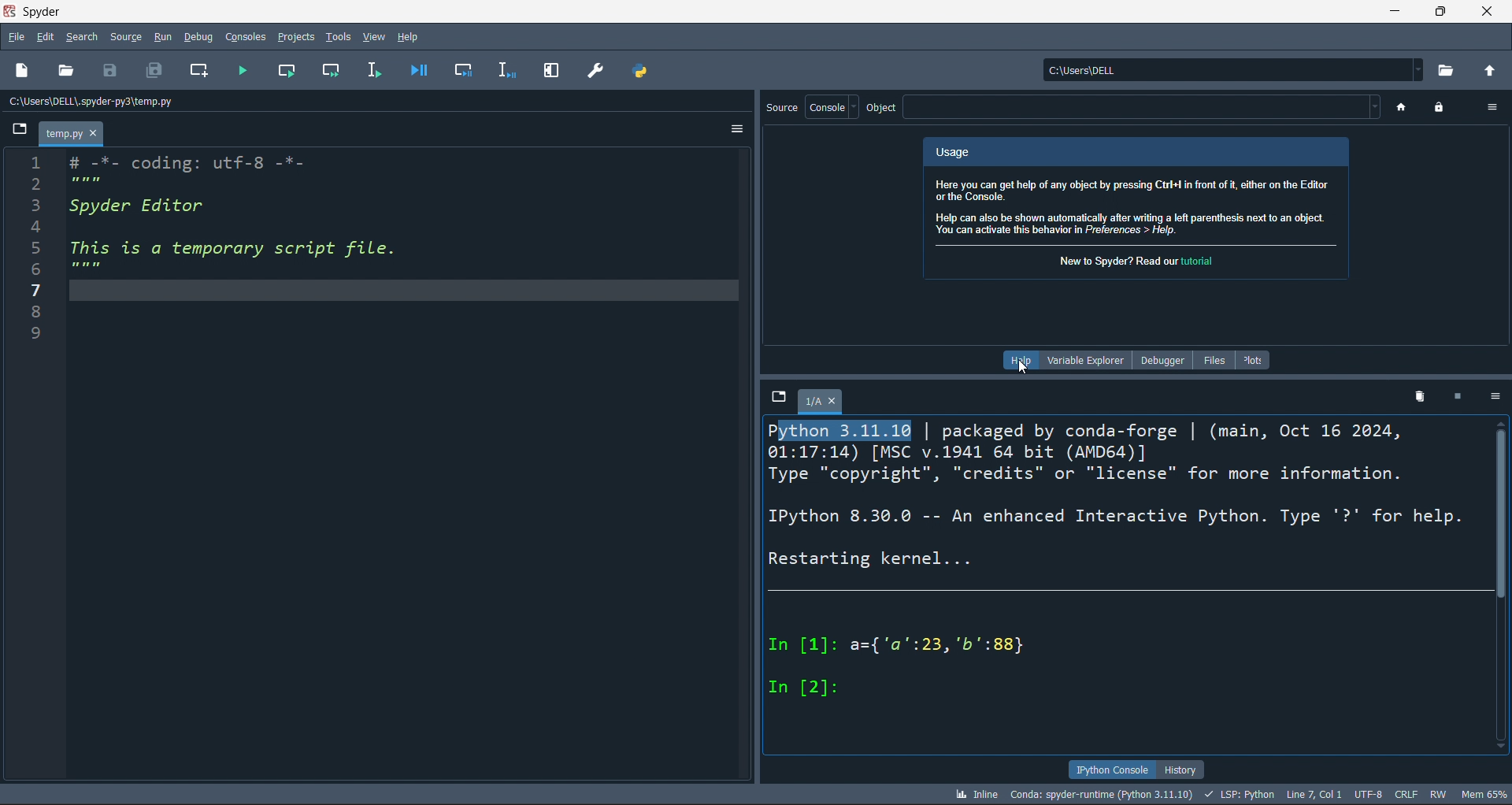 The width and height of the screenshot is (1512, 805). What do you see at coordinates (592, 69) in the screenshot?
I see `preferences` at bounding box center [592, 69].